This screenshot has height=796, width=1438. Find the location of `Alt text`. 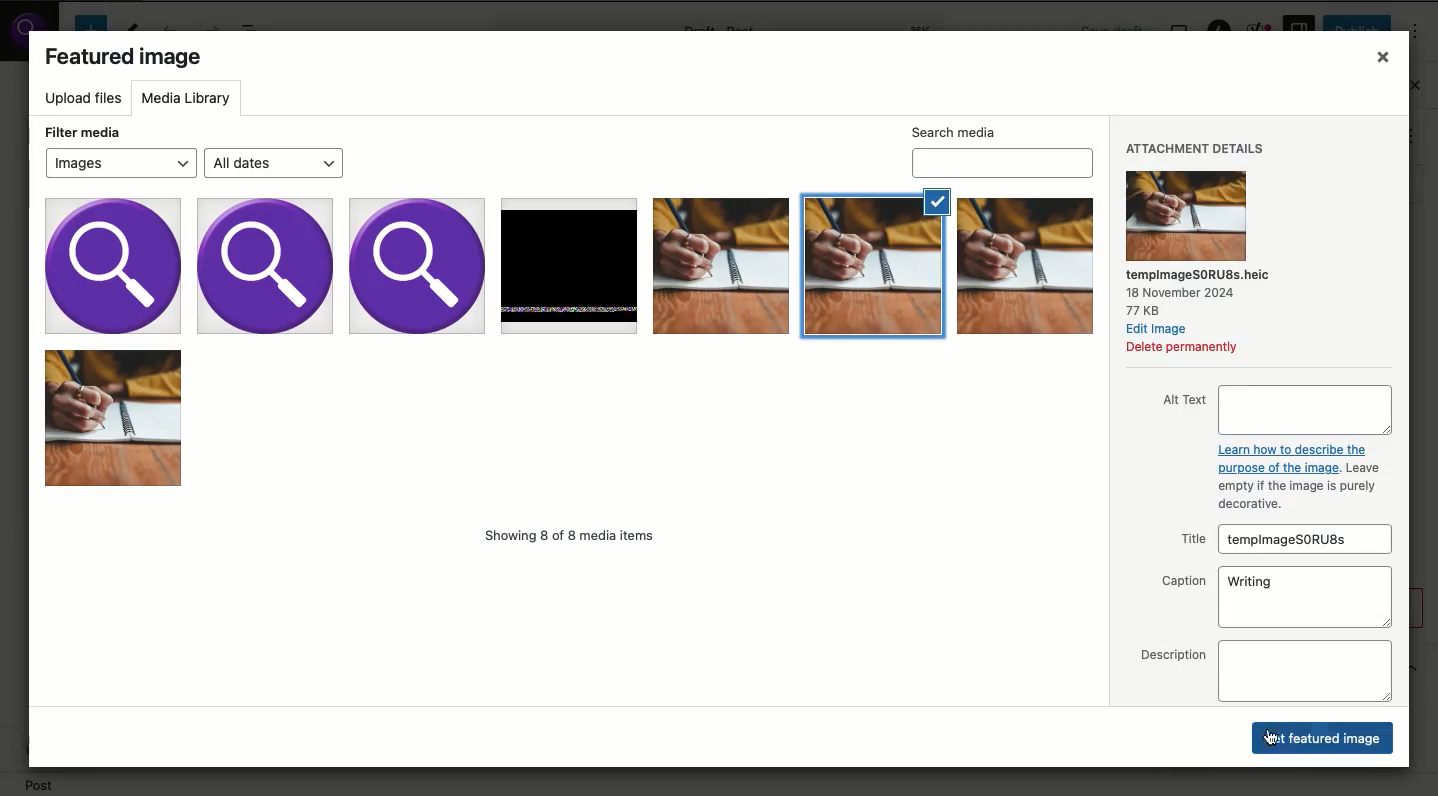

Alt text is located at coordinates (1305, 410).